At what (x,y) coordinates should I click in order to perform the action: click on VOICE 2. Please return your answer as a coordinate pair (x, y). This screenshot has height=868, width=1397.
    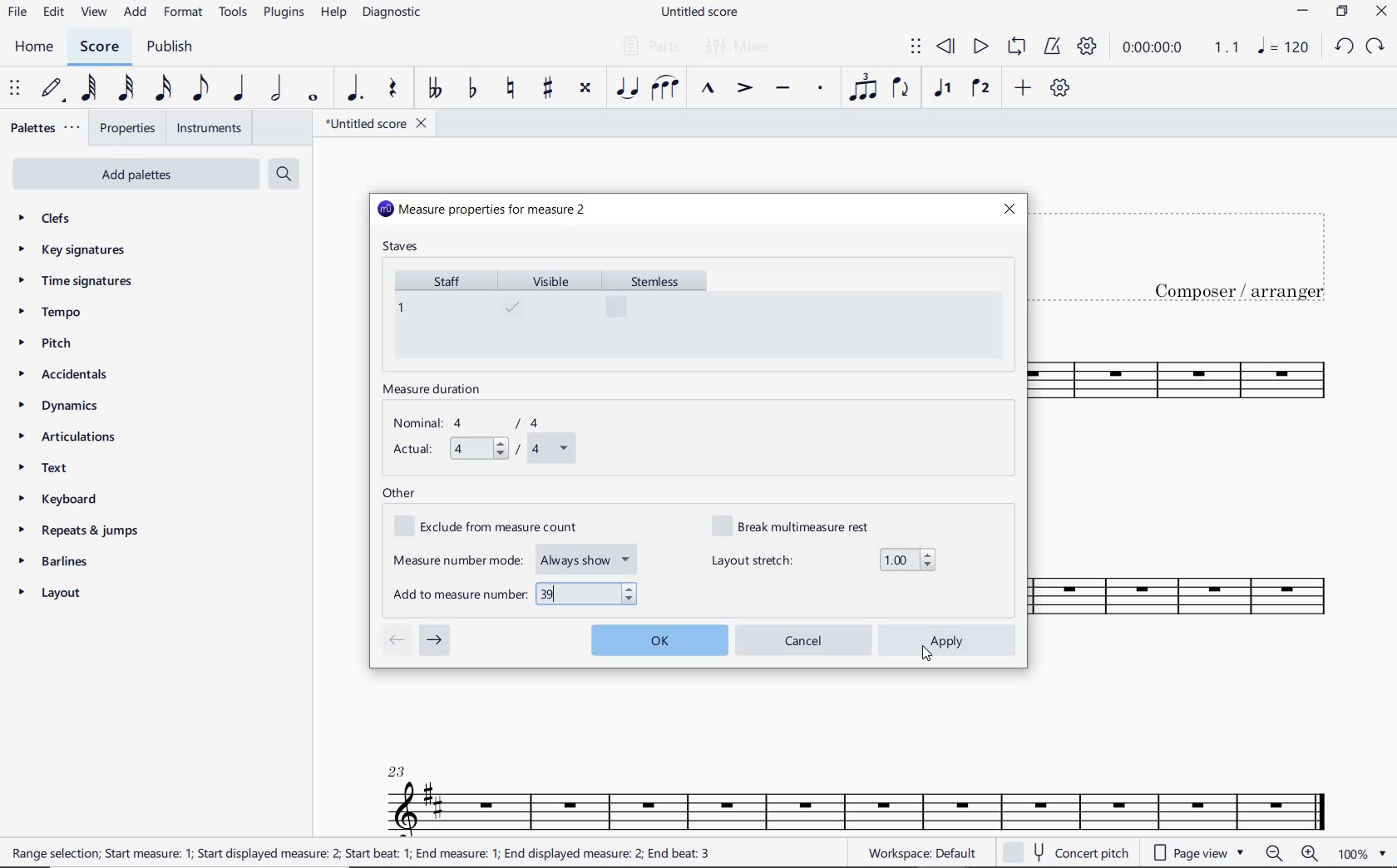
    Looking at the image, I should click on (981, 89).